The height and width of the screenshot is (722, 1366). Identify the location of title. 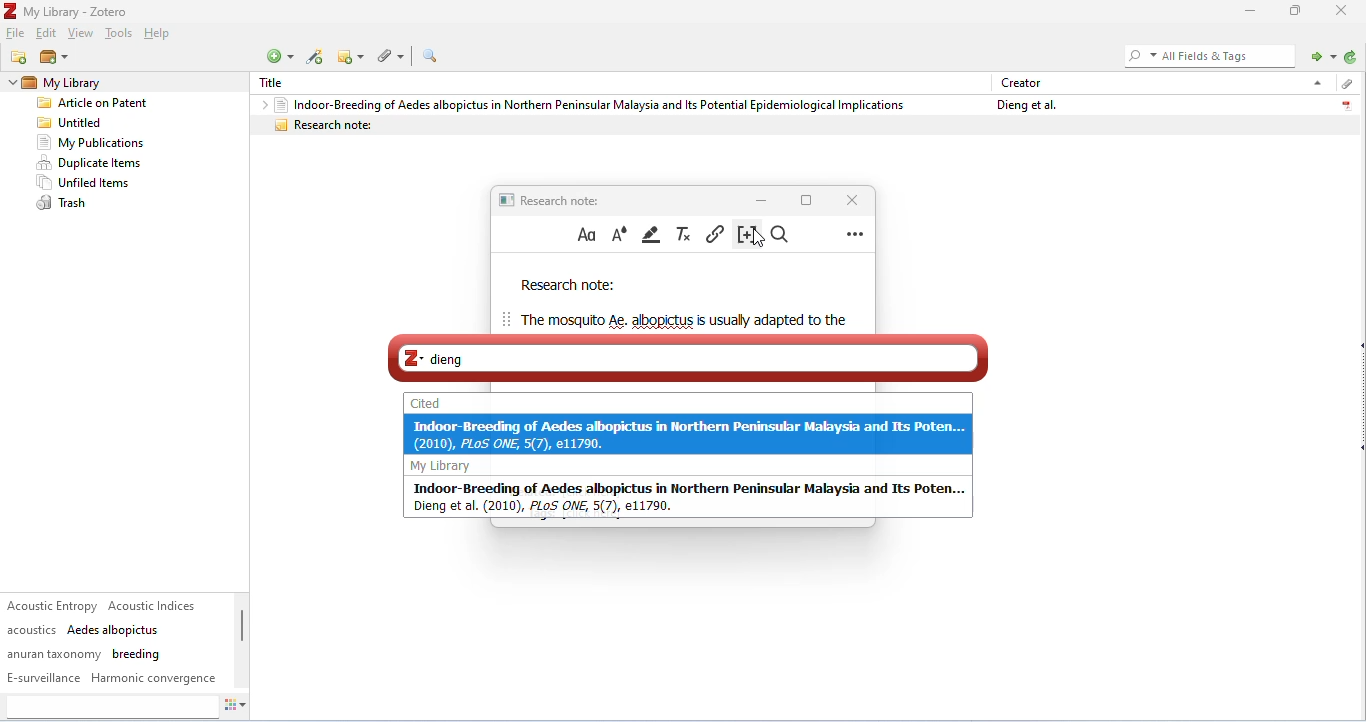
(68, 11).